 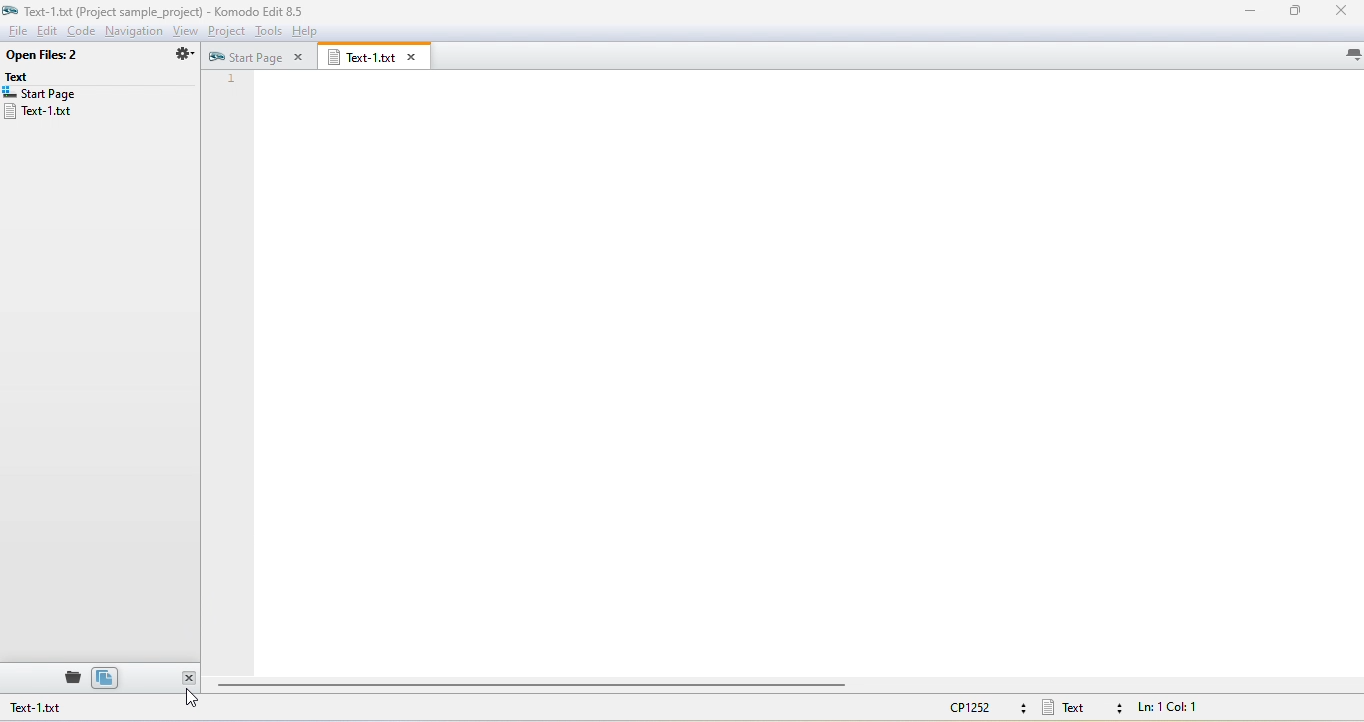 I want to click on start page, so click(x=243, y=56).